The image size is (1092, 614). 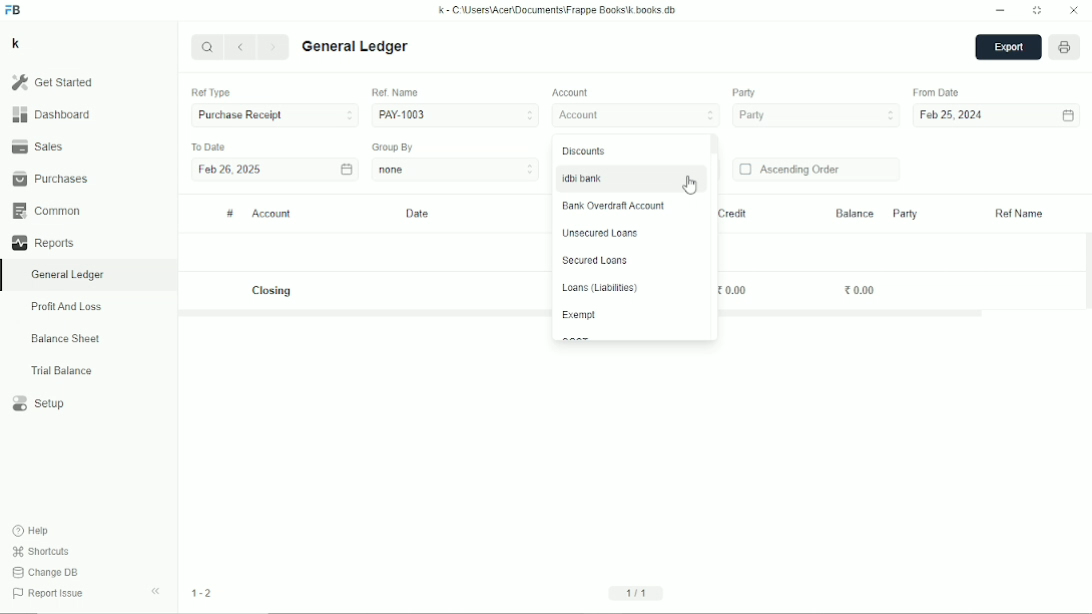 What do you see at coordinates (1020, 214) in the screenshot?
I see `Ref name` at bounding box center [1020, 214].